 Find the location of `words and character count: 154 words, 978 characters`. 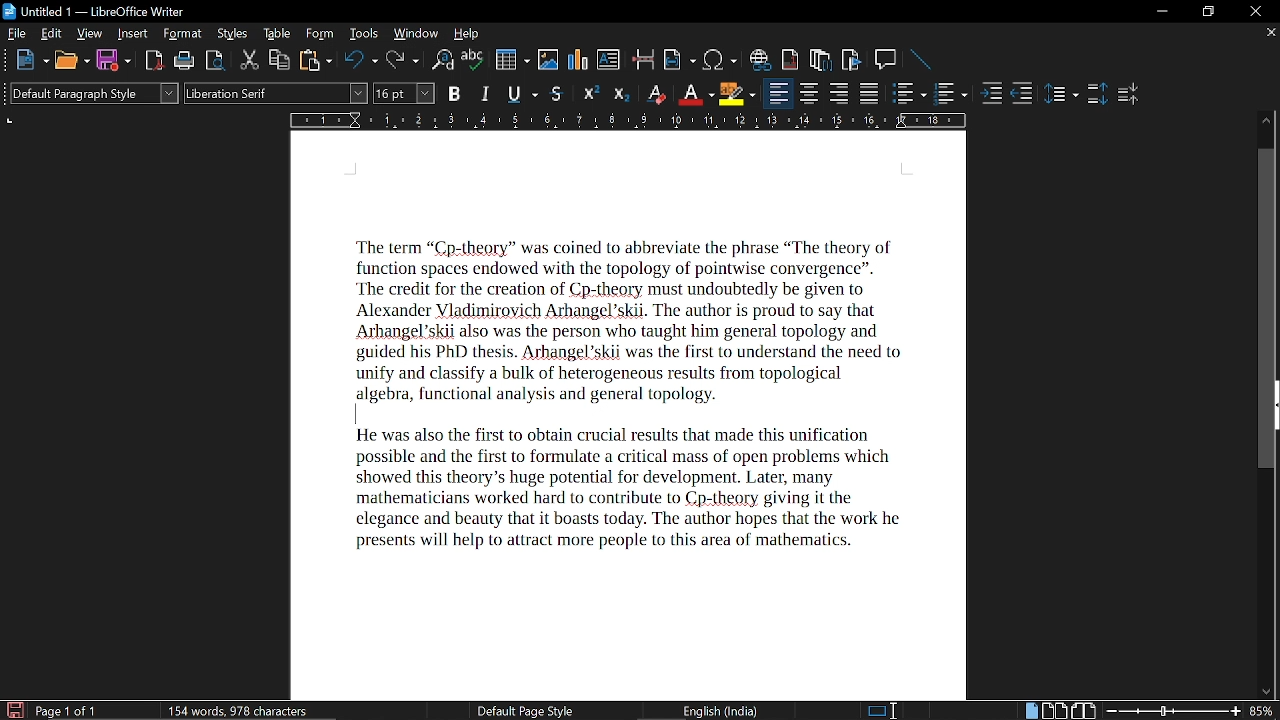

words and character count: 154 words, 978 characters is located at coordinates (245, 709).